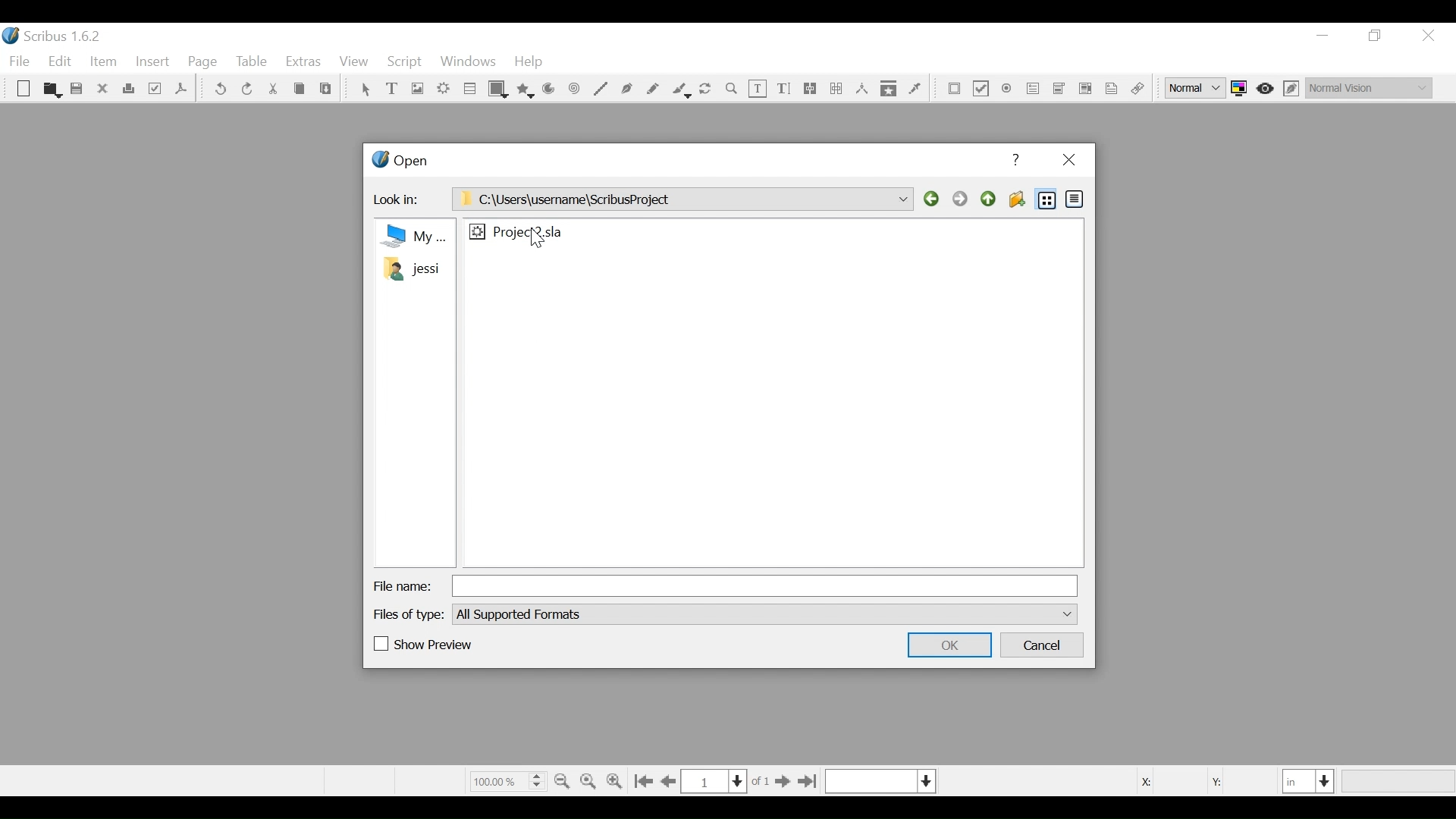 The height and width of the screenshot is (819, 1456). Describe the element at coordinates (627, 89) in the screenshot. I see `Bezier curve` at that location.